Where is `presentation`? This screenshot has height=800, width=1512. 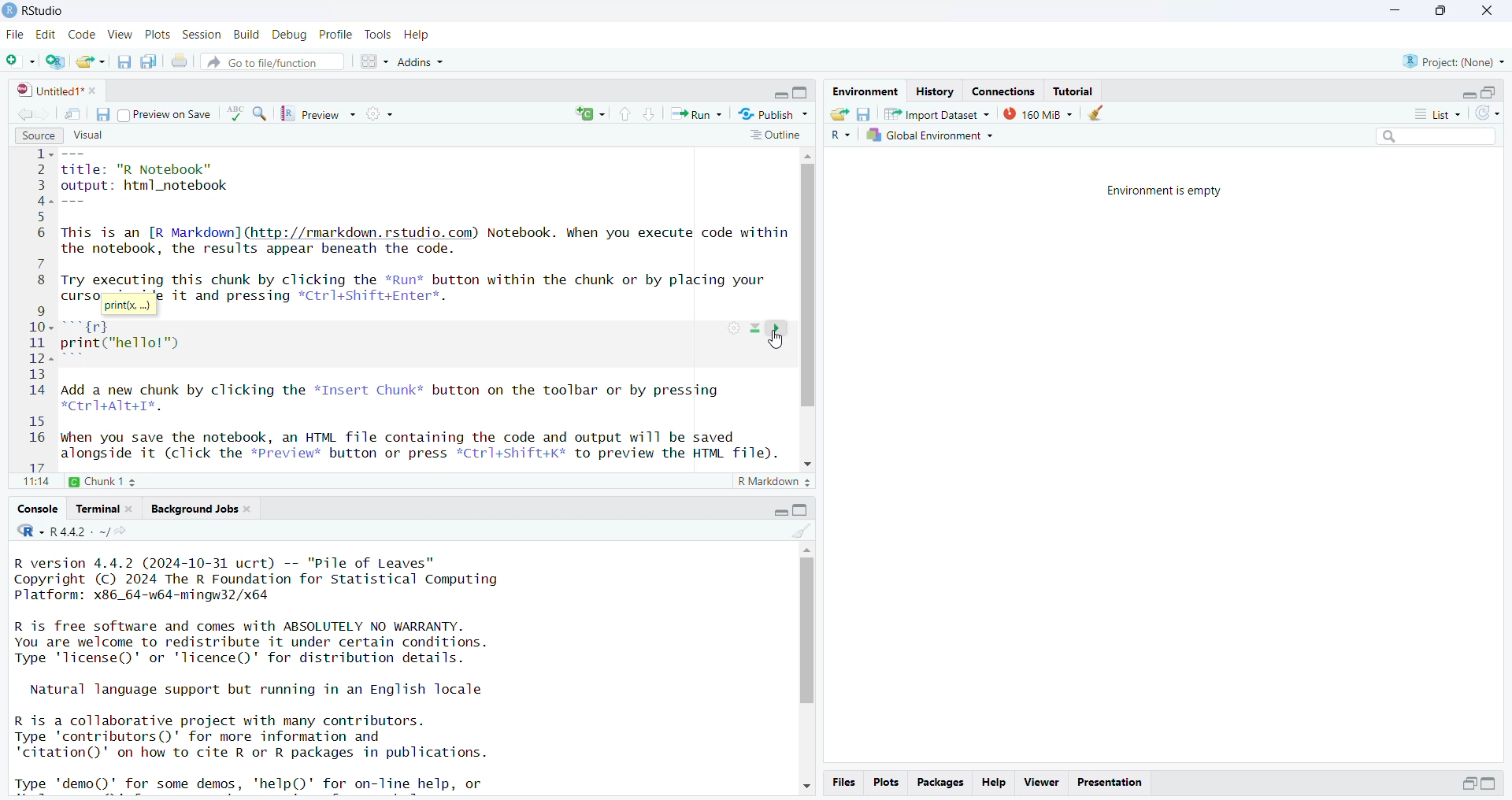
presentation is located at coordinates (1110, 781).